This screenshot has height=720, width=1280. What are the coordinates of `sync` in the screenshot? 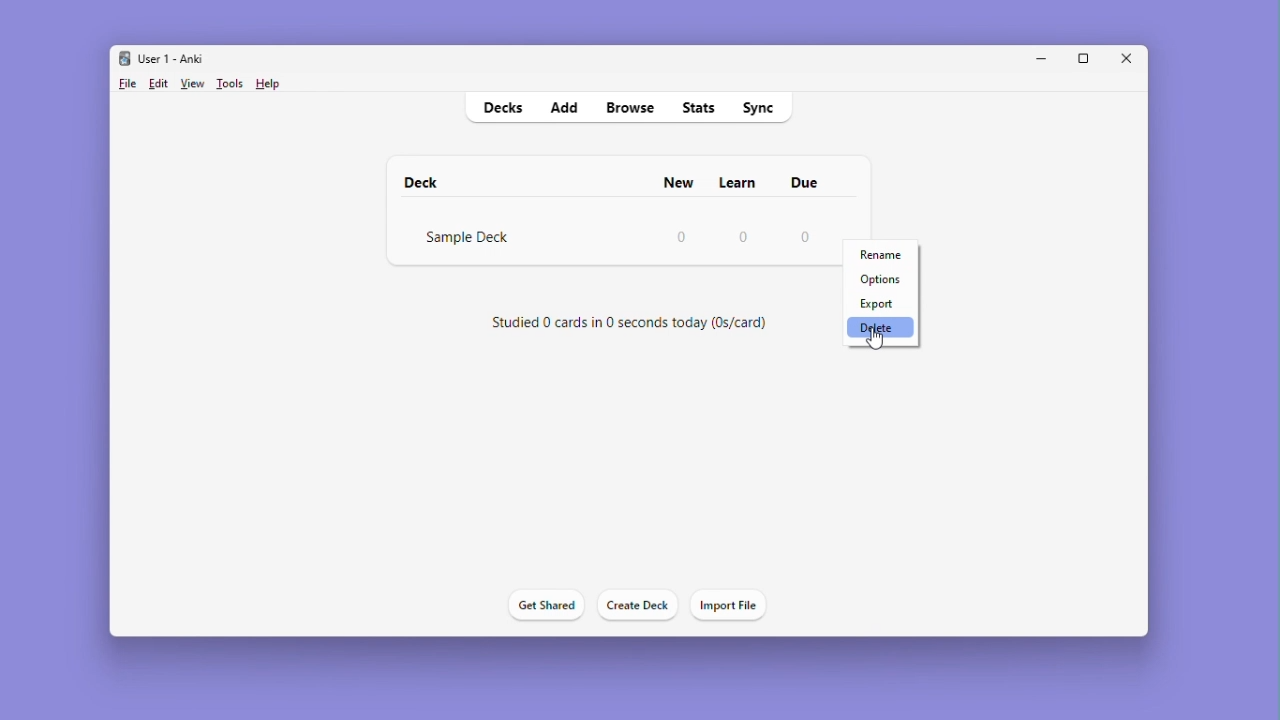 It's located at (760, 108).